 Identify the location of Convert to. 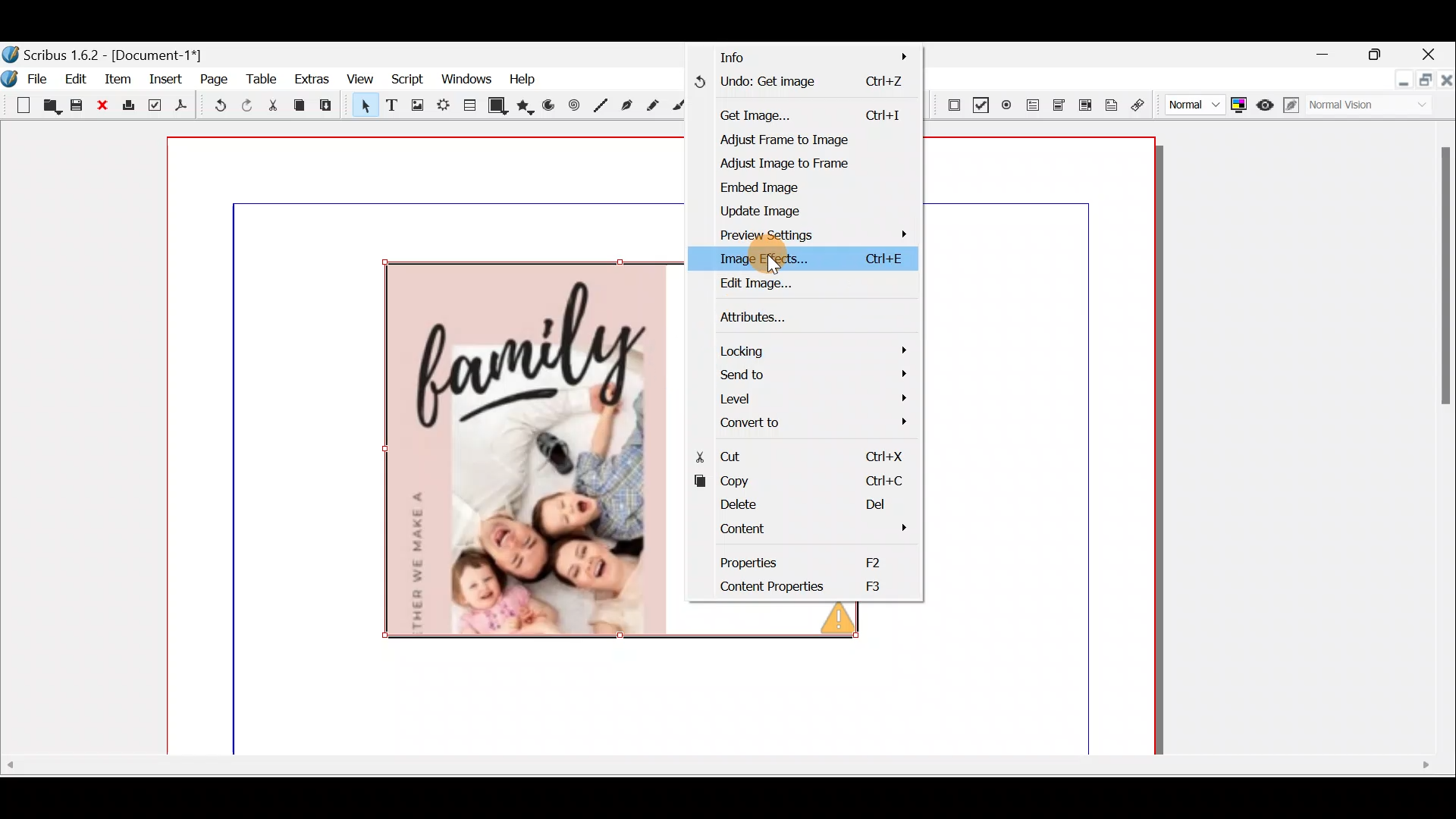
(808, 421).